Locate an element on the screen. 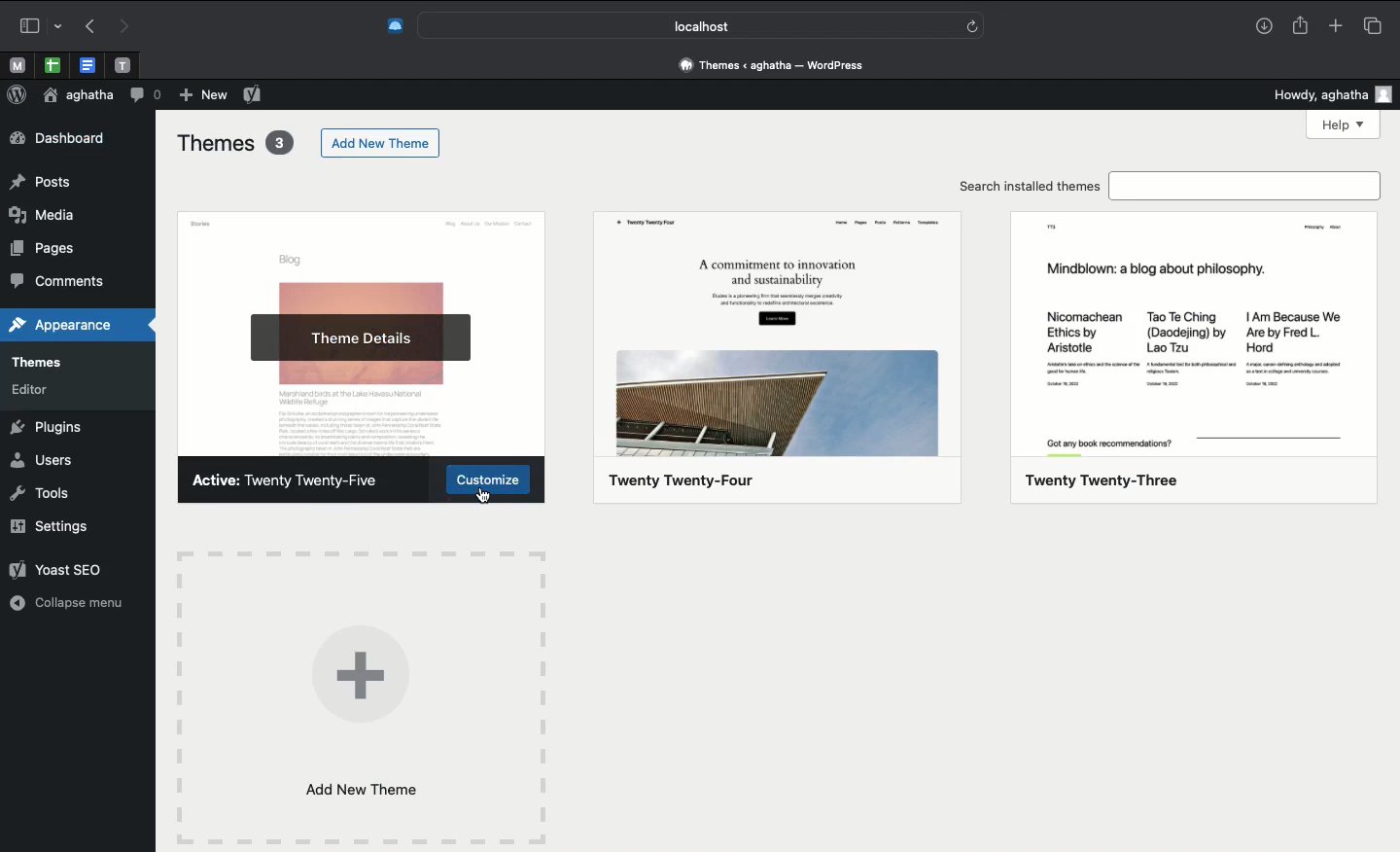  Sidebar is located at coordinates (37, 25).